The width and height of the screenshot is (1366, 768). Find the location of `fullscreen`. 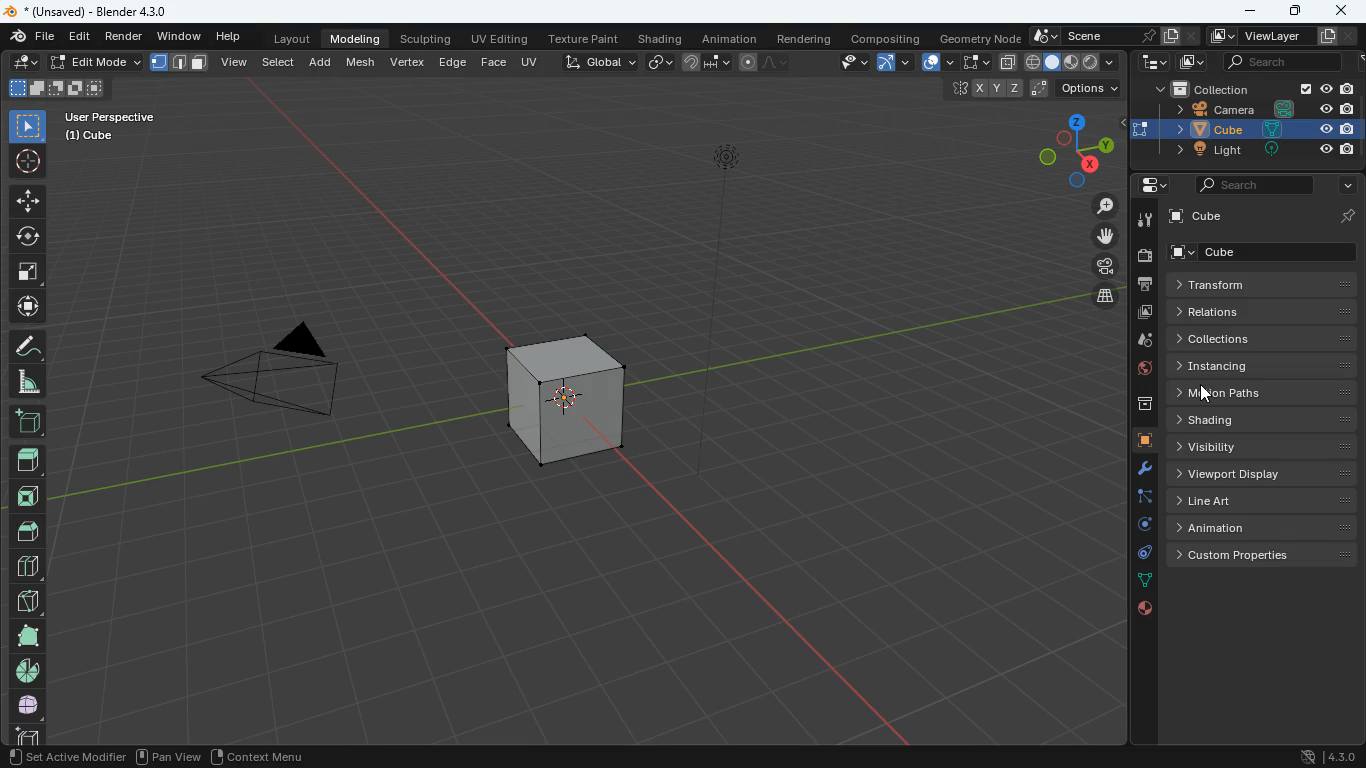

fullscreen is located at coordinates (28, 270).